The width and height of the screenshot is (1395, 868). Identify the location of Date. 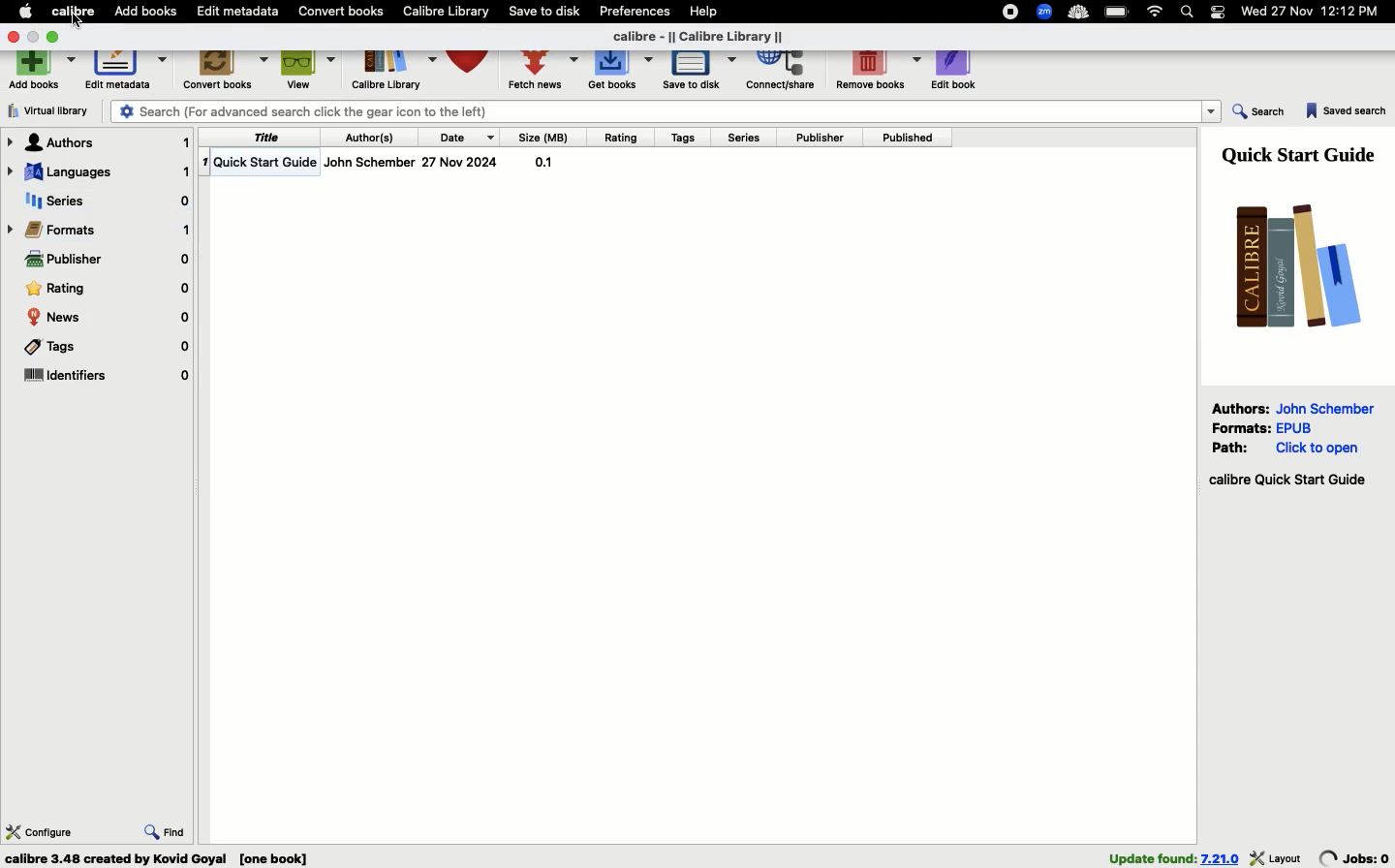
(459, 138).